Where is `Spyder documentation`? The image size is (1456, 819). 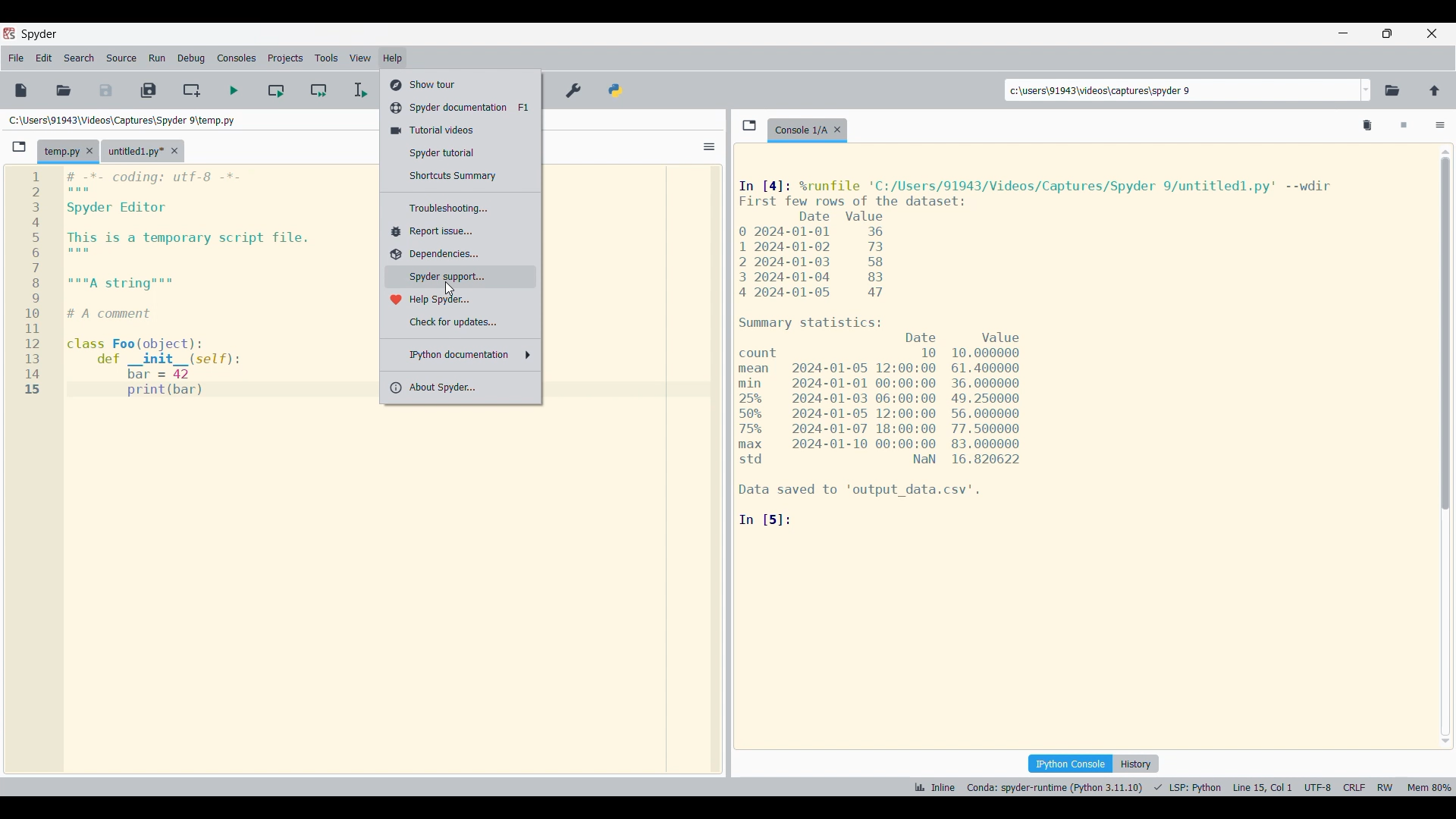 Spyder documentation is located at coordinates (460, 108).